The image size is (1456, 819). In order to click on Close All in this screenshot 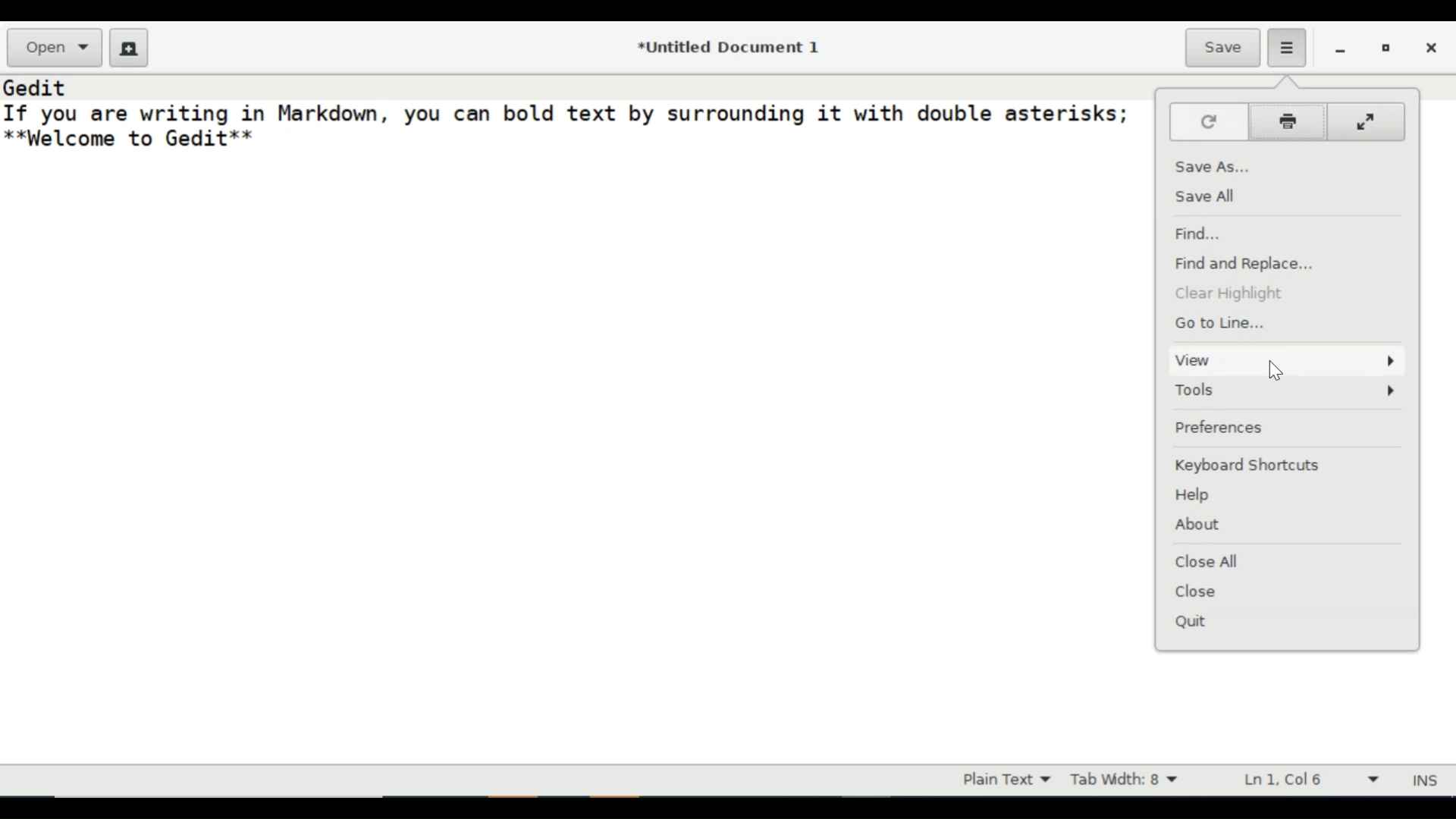, I will do `click(1222, 563)`.